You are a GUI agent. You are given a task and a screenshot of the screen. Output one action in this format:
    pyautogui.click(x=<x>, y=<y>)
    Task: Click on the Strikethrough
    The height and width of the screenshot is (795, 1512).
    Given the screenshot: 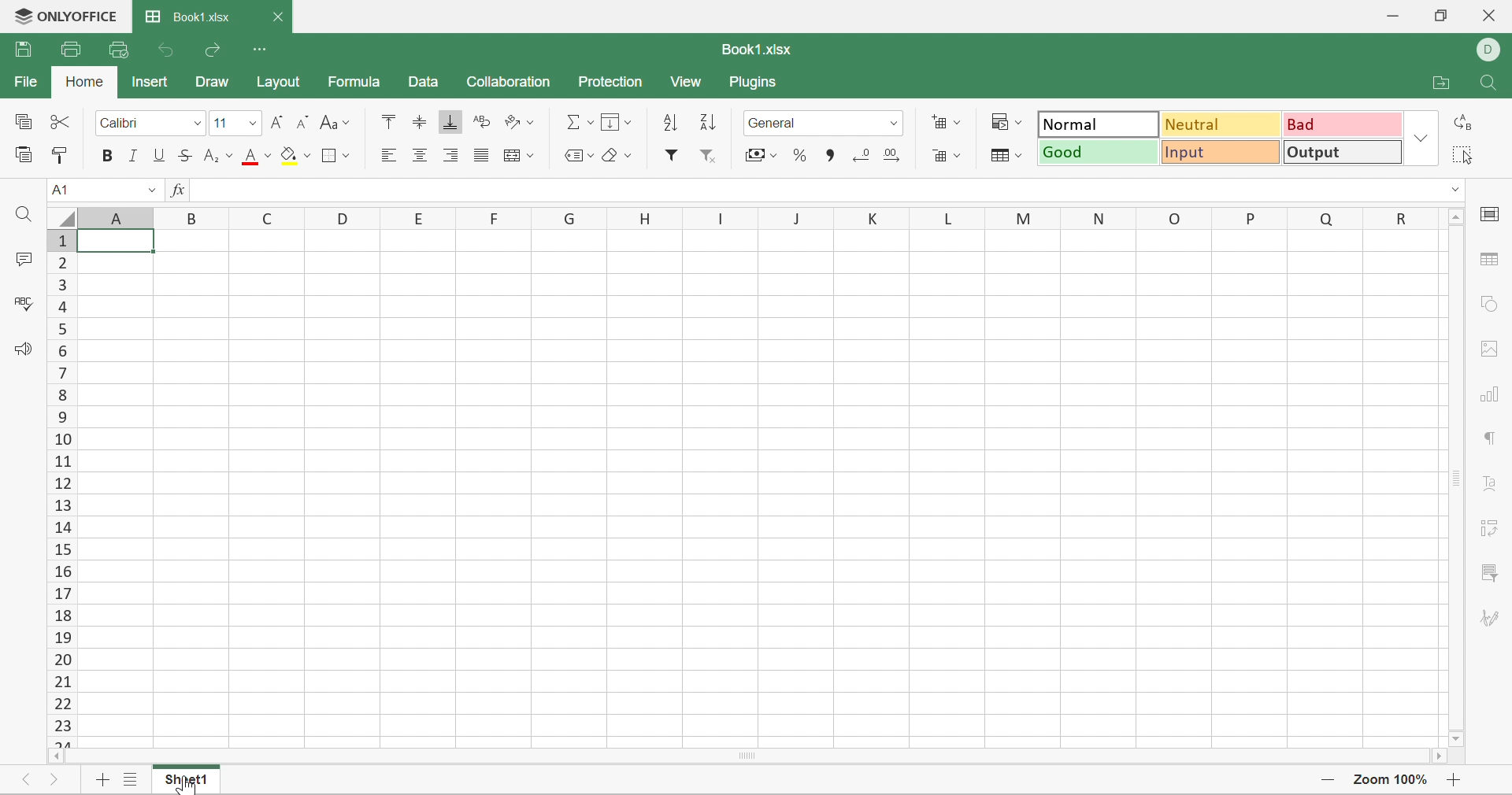 What is the action you would take?
    pyautogui.click(x=185, y=156)
    